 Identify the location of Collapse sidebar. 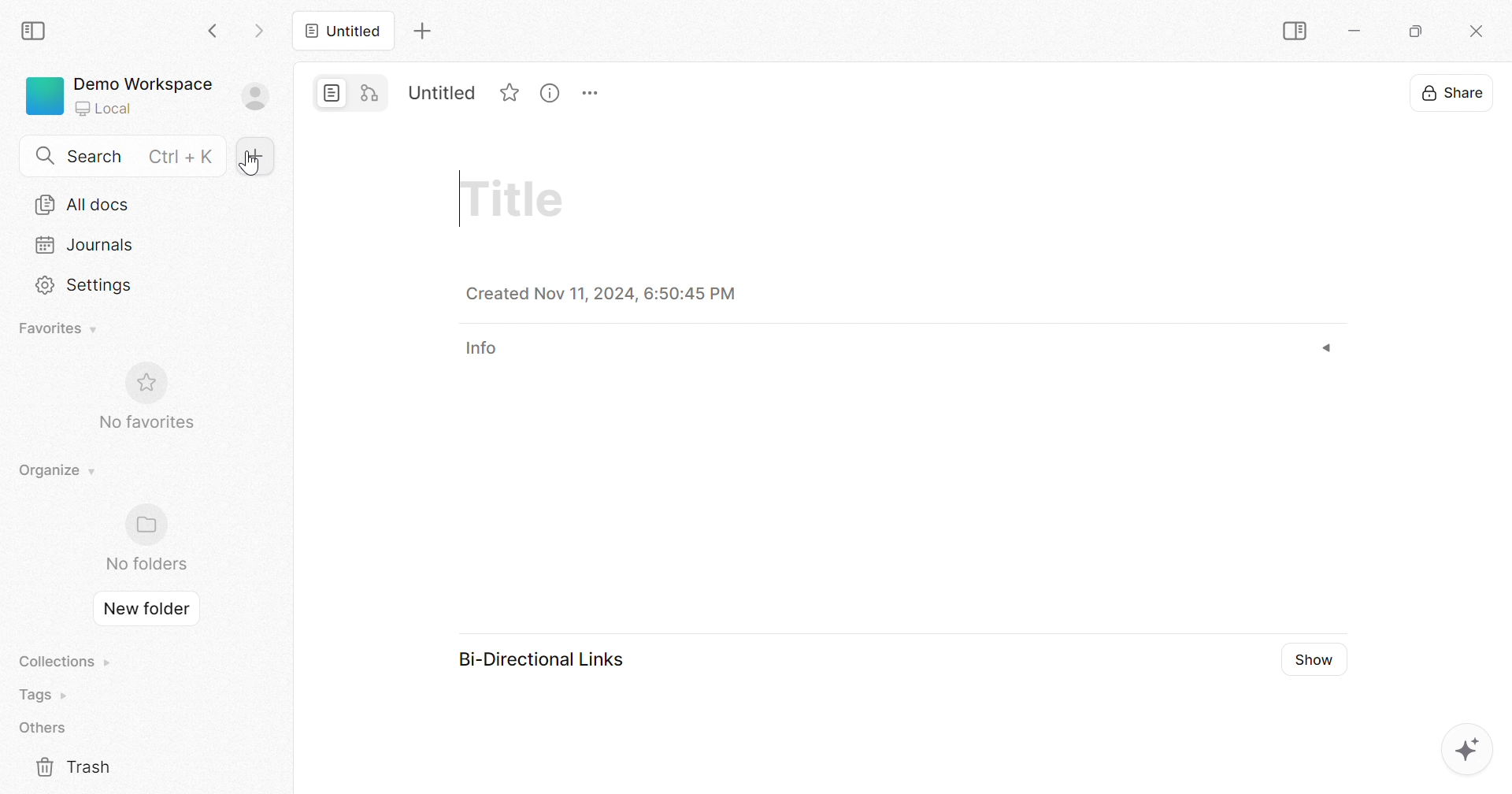
(34, 32).